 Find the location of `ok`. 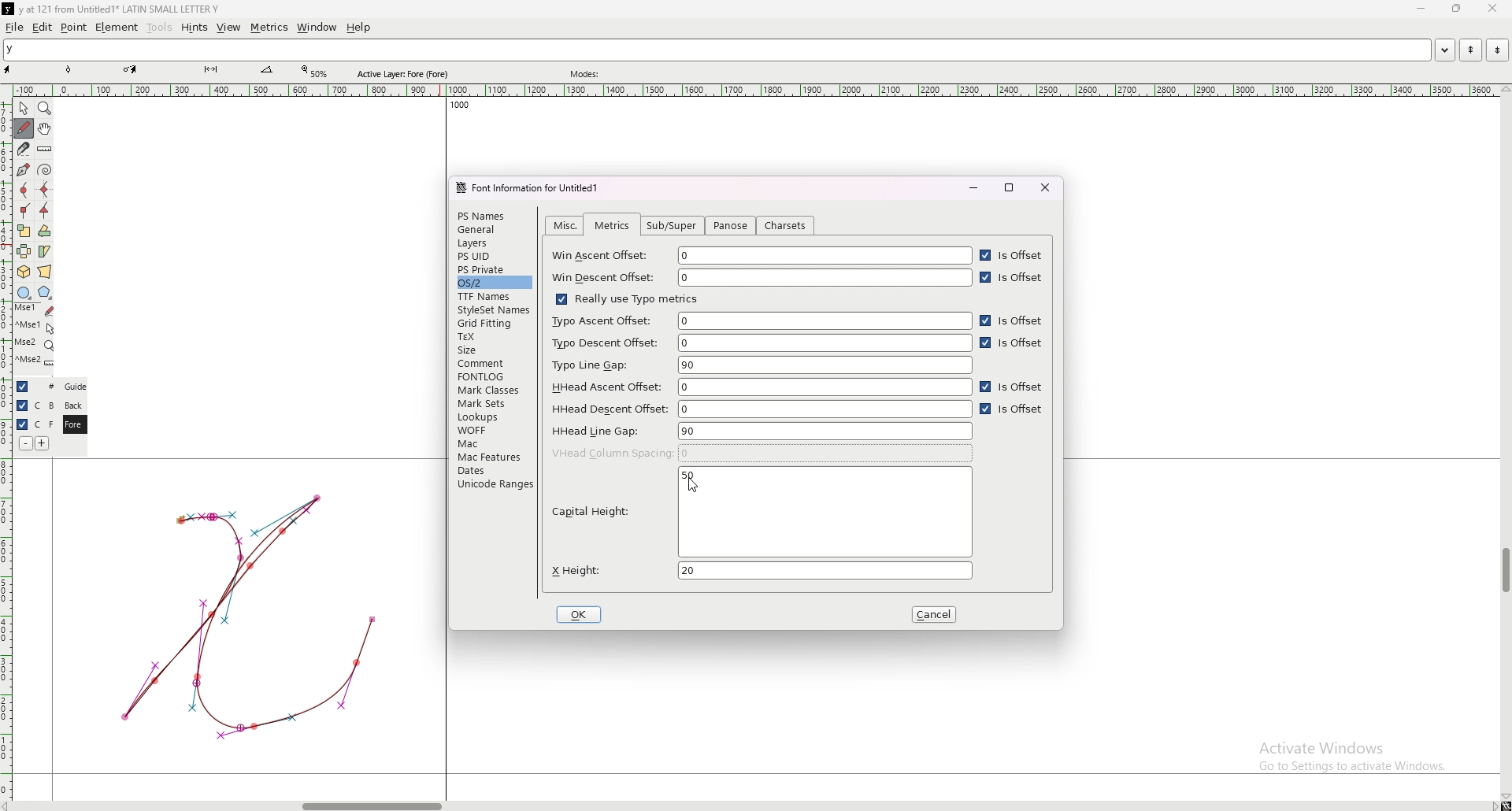

ok is located at coordinates (581, 614).